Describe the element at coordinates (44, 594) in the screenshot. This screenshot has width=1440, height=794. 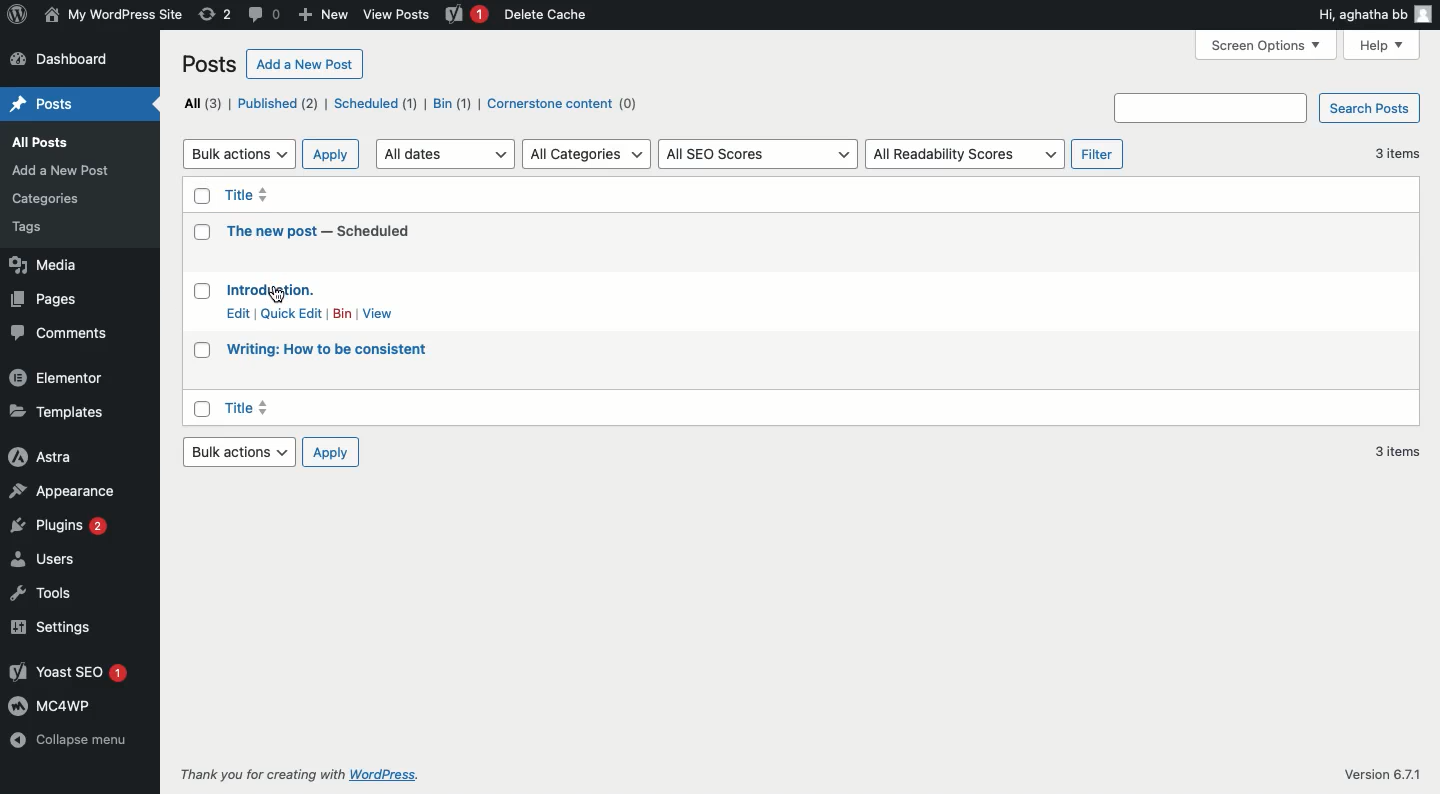
I see `Tools` at that location.